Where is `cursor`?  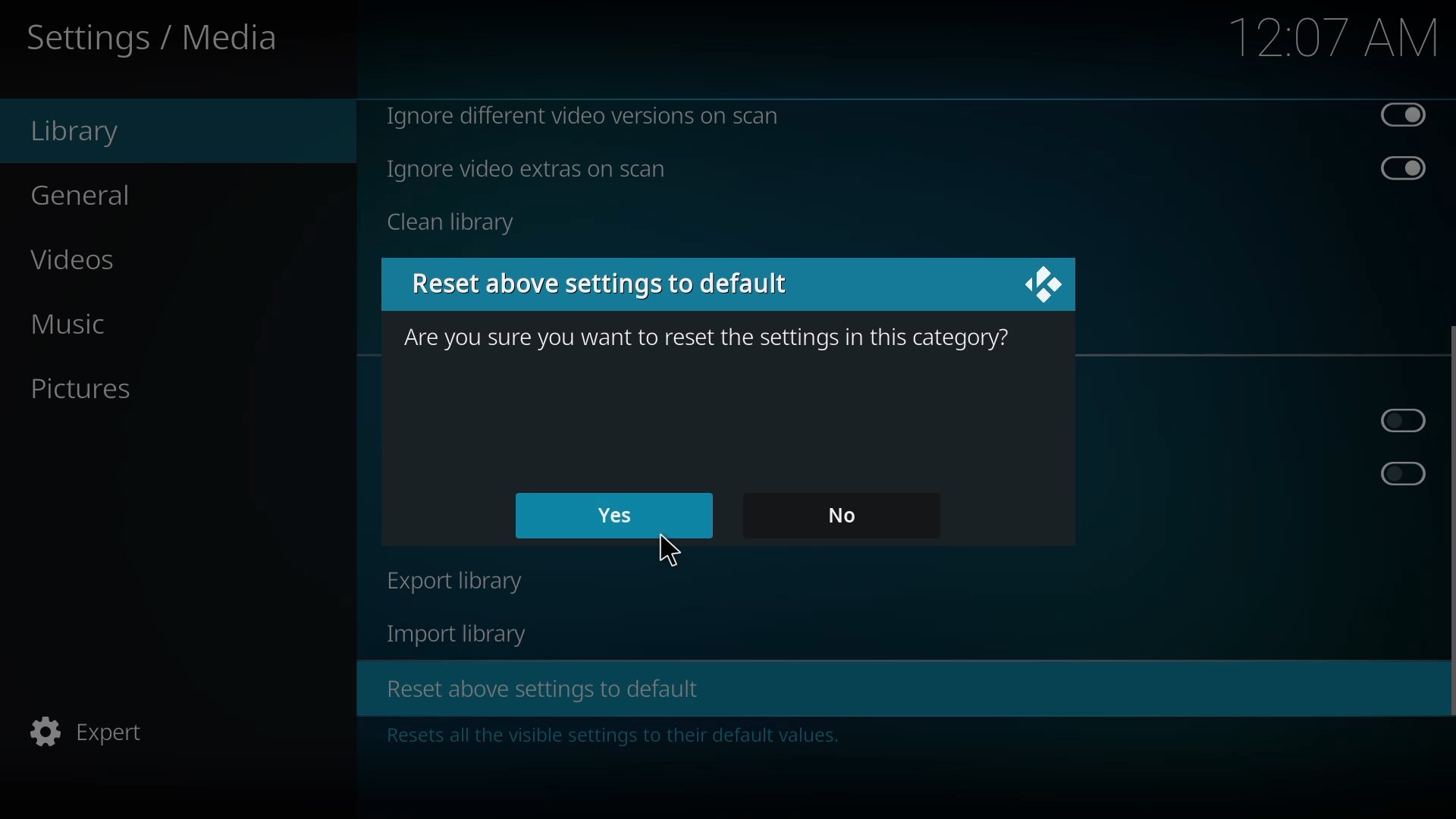
cursor is located at coordinates (670, 552).